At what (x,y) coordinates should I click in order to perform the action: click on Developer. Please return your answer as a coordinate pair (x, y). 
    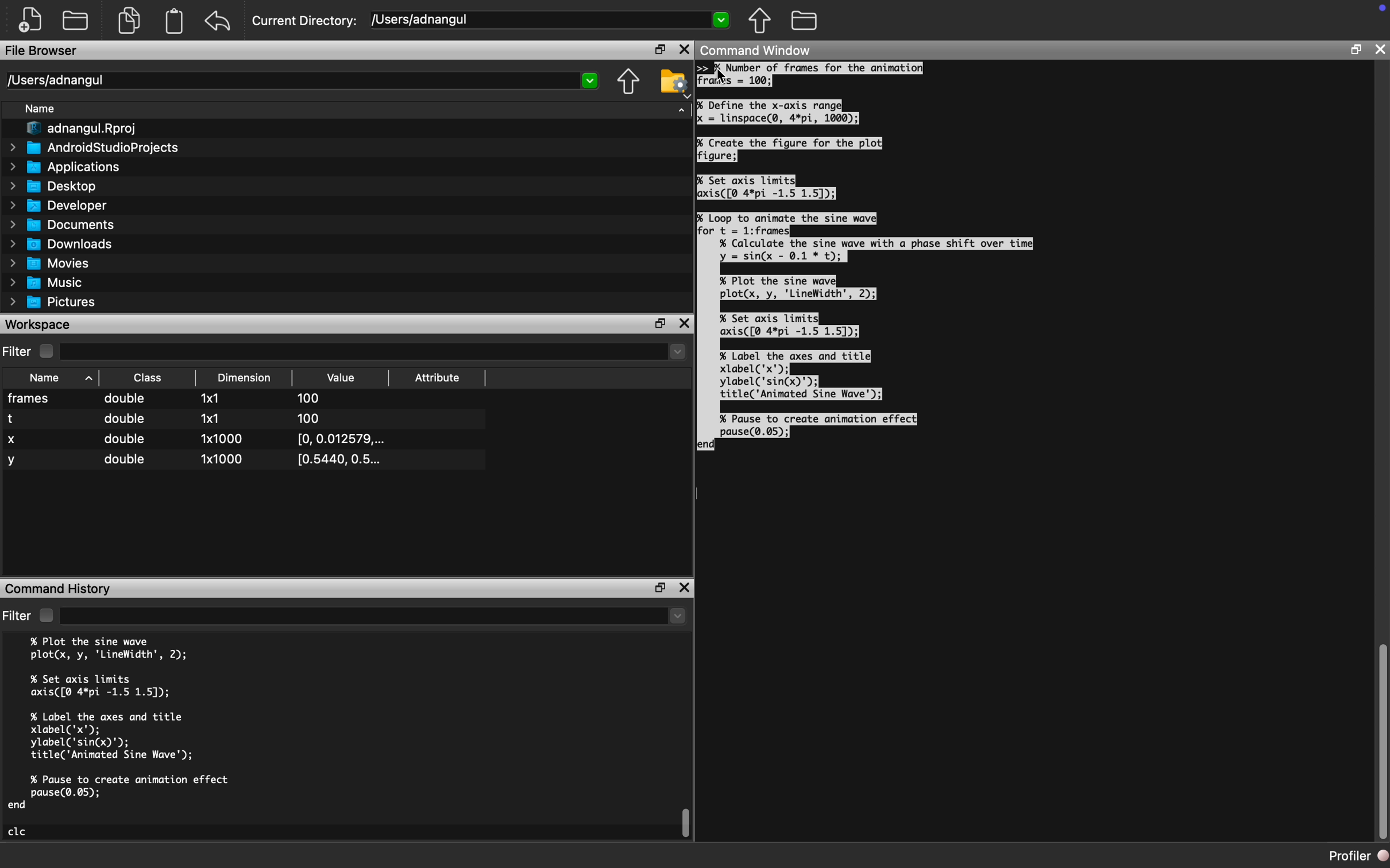
    Looking at the image, I should click on (60, 208).